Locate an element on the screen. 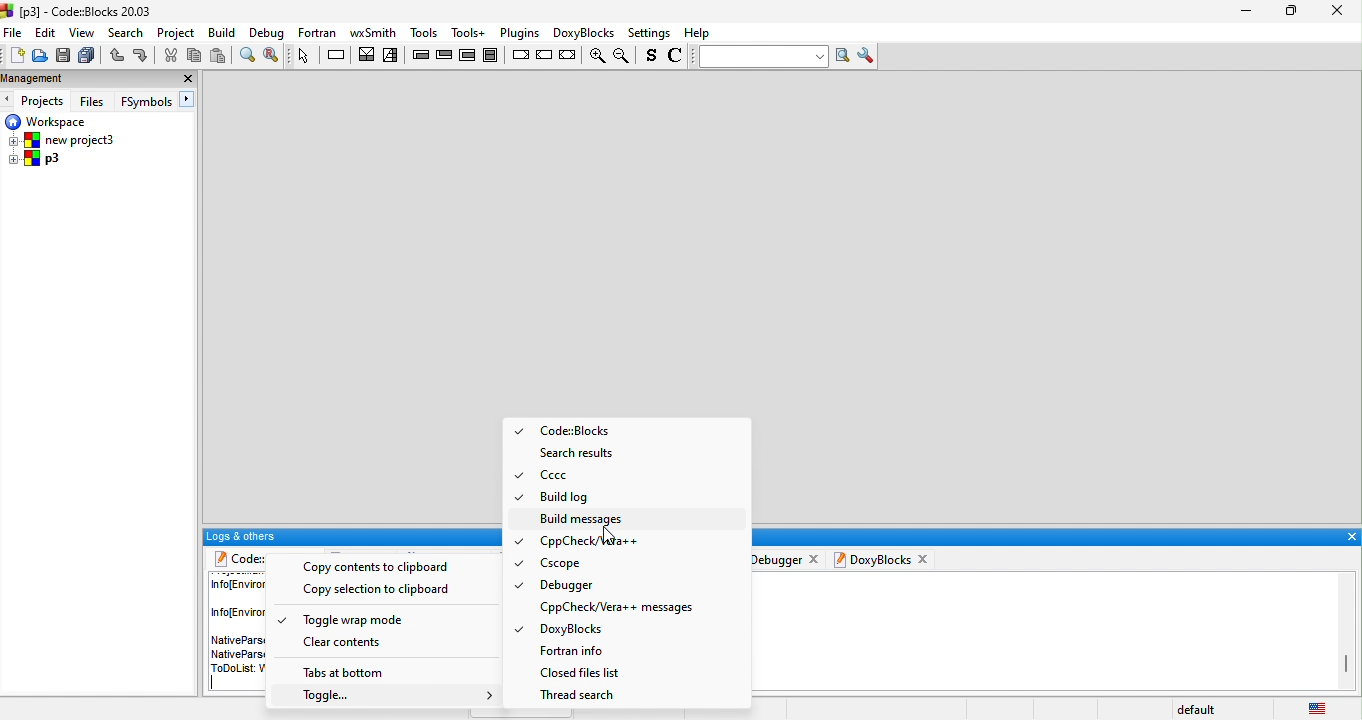 The height and width of the screenshot is (720, 1362). search is located at coordinates (128, 33).